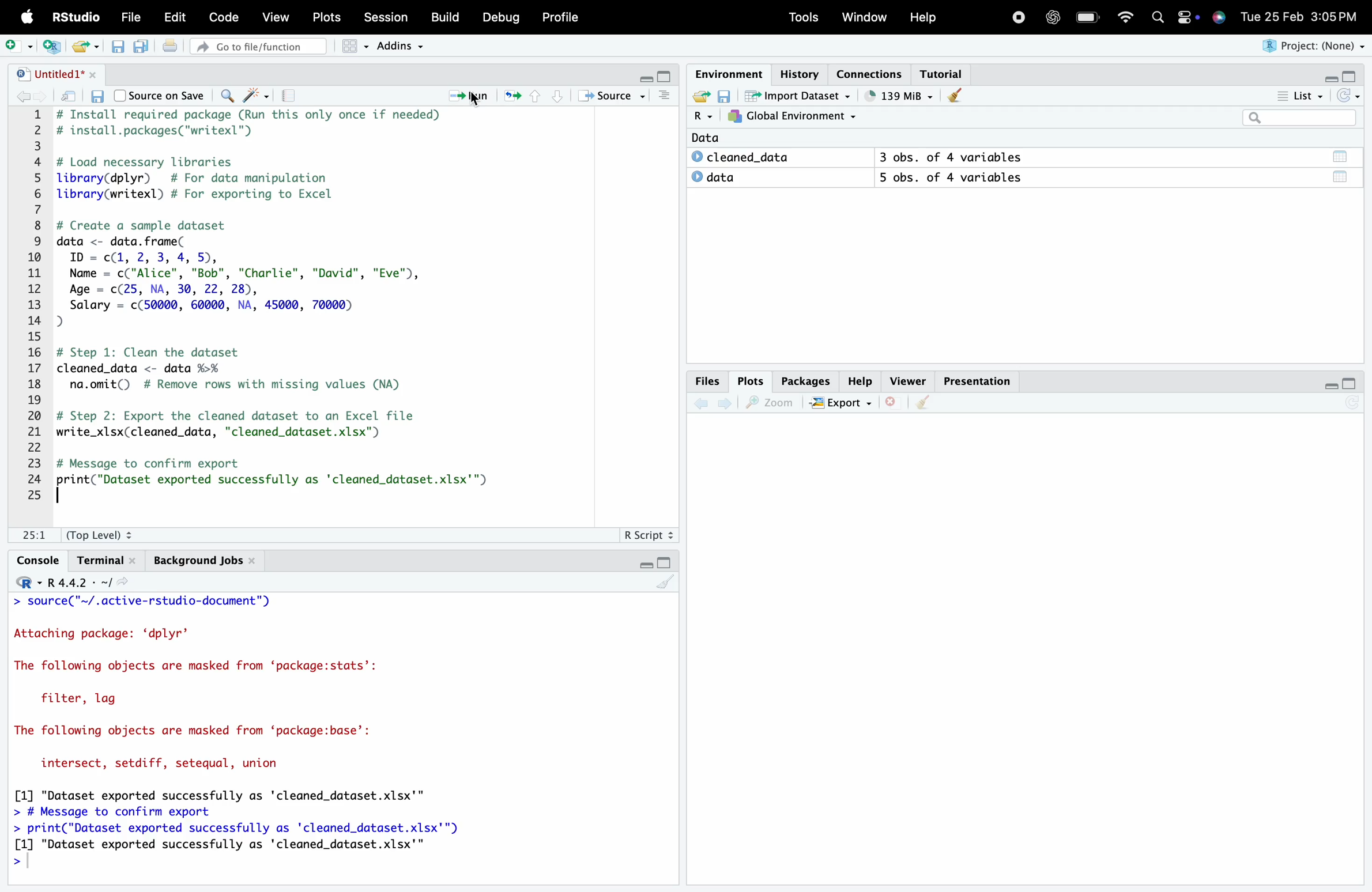 The width and height of the screenshot is (1372, 892). What do you see at coordinates (288, 95) in the screenshot?
I see `Compile Report (Ctrl + Shift + K)` at bounding box center [288, 95].